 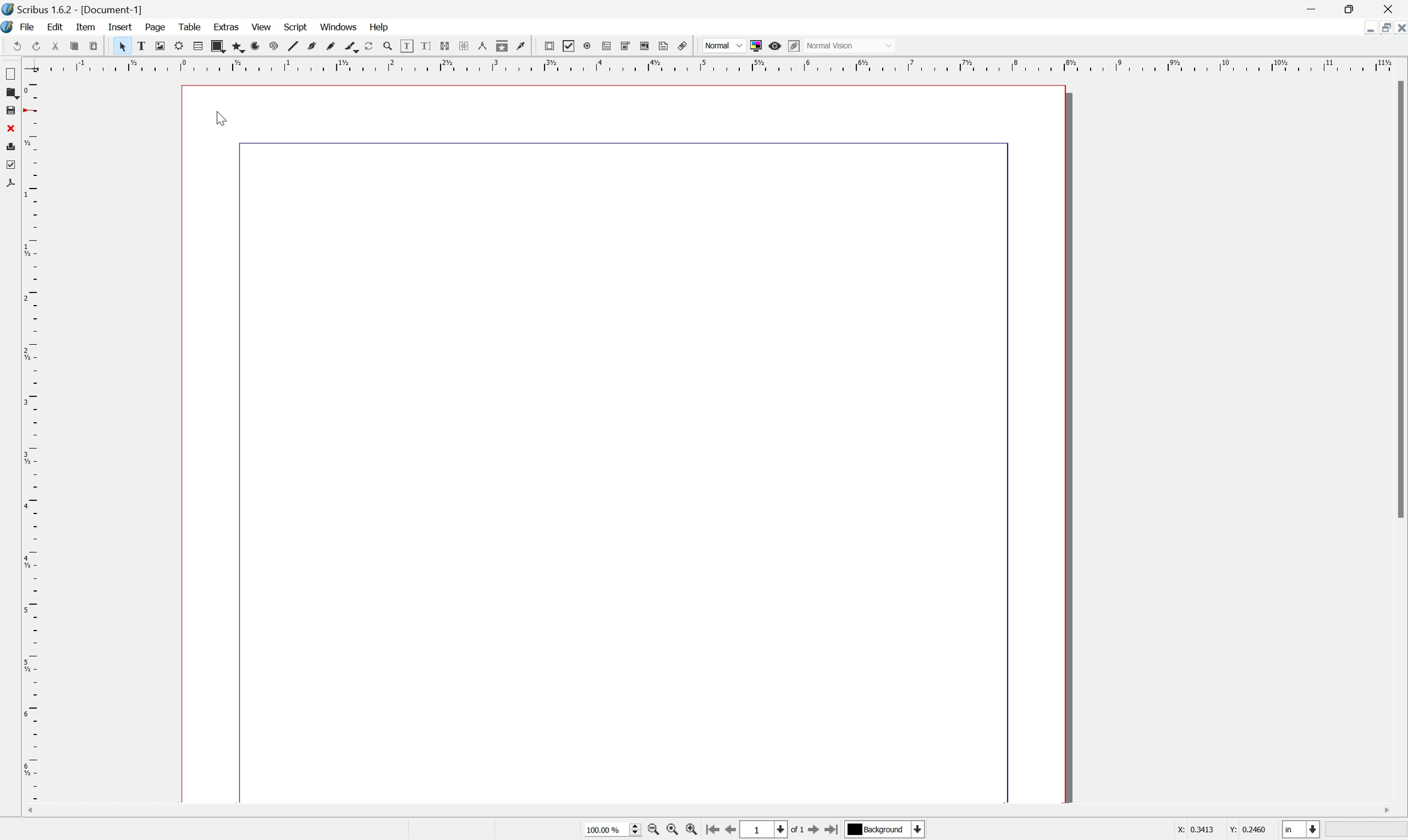 I want to click on script, so click(x=297, y=28).